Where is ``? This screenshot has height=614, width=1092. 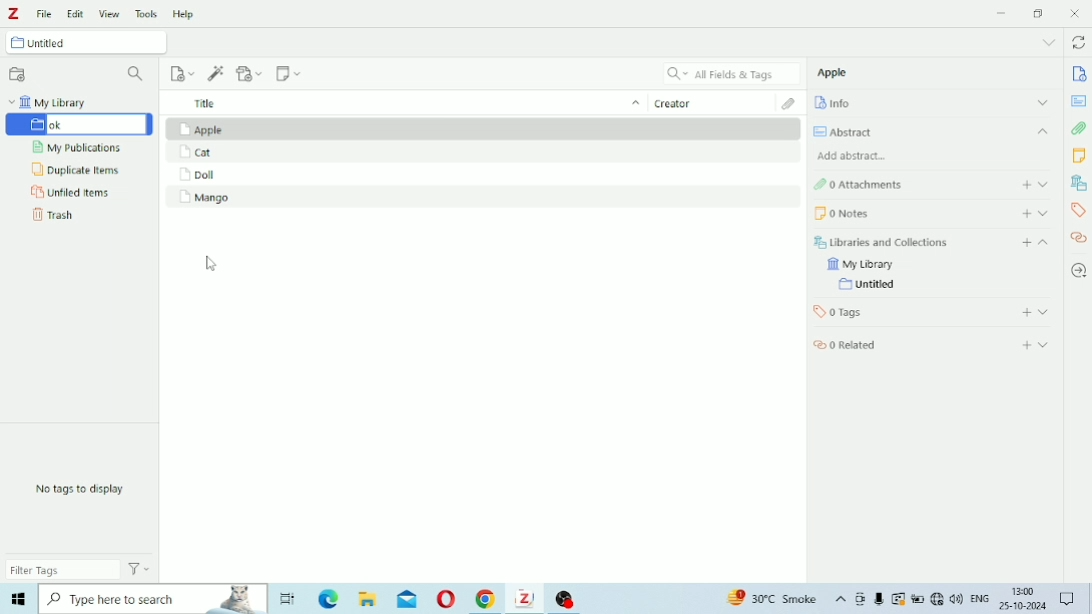
 is located at coordinates (286, 599).